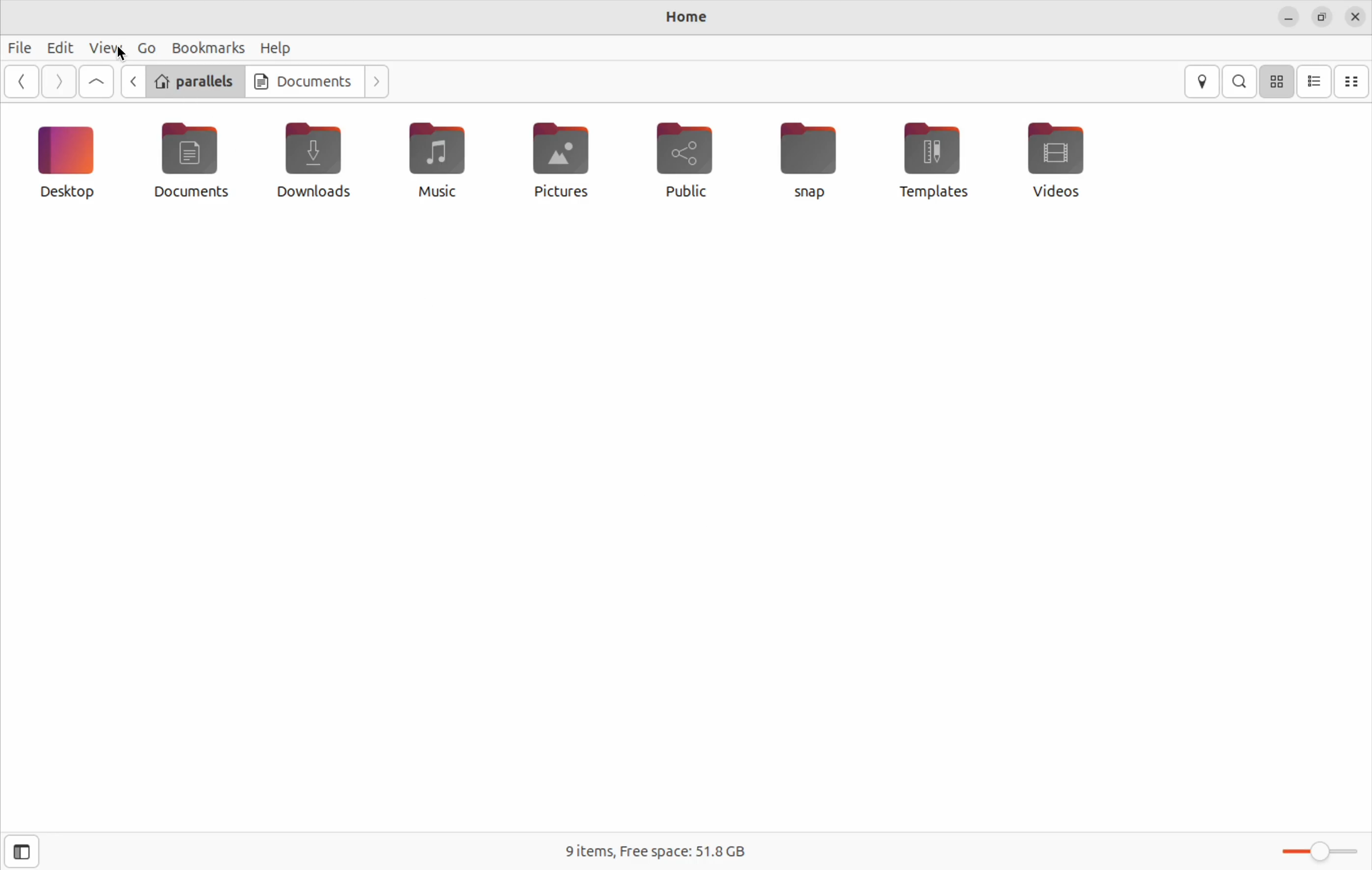  Describe the element at coordinates (677, 19) in the screenshot. I see `Home` at that location.